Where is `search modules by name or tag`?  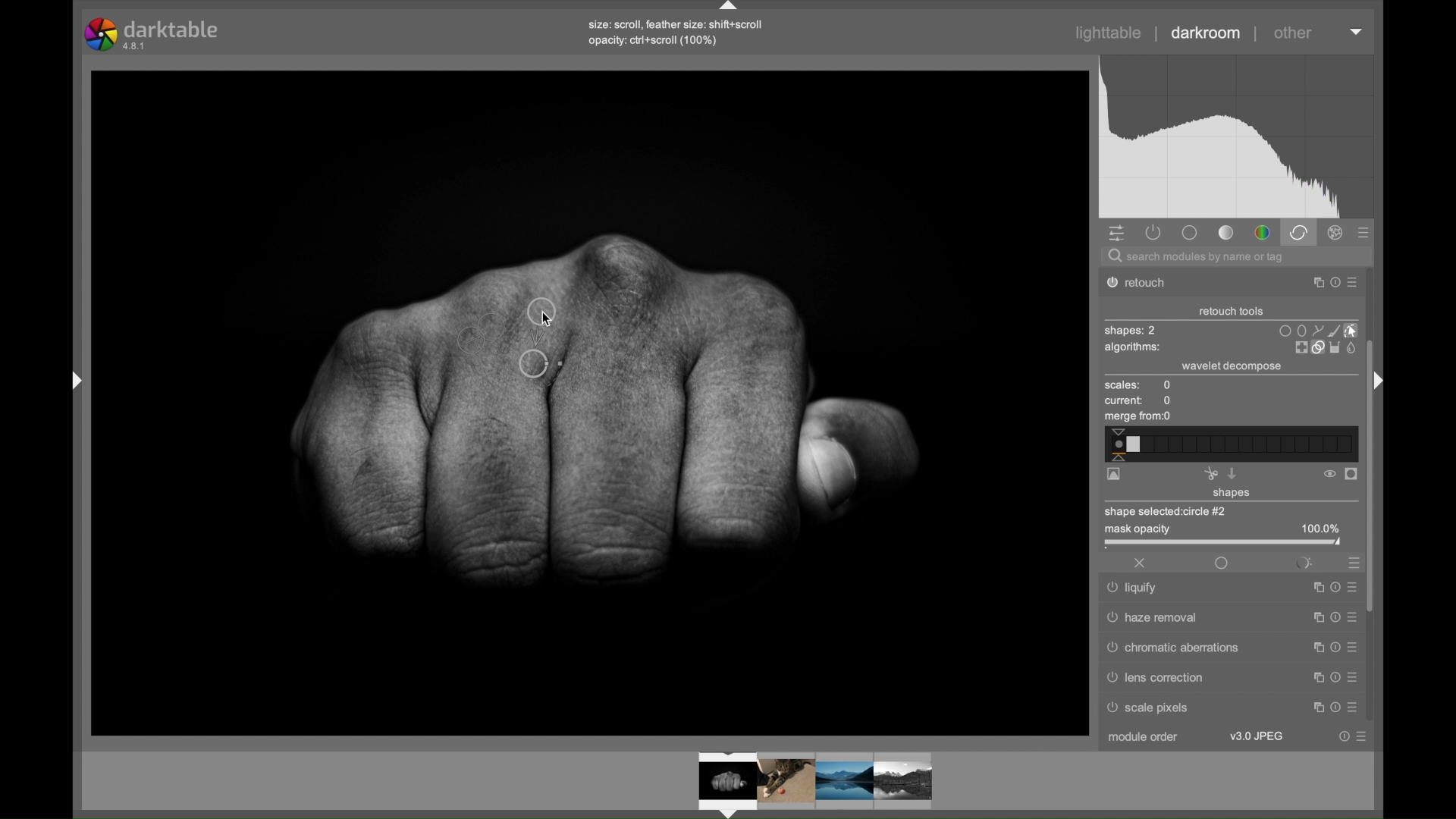 search modules by name or tag is located at coordinates (1197, 258).